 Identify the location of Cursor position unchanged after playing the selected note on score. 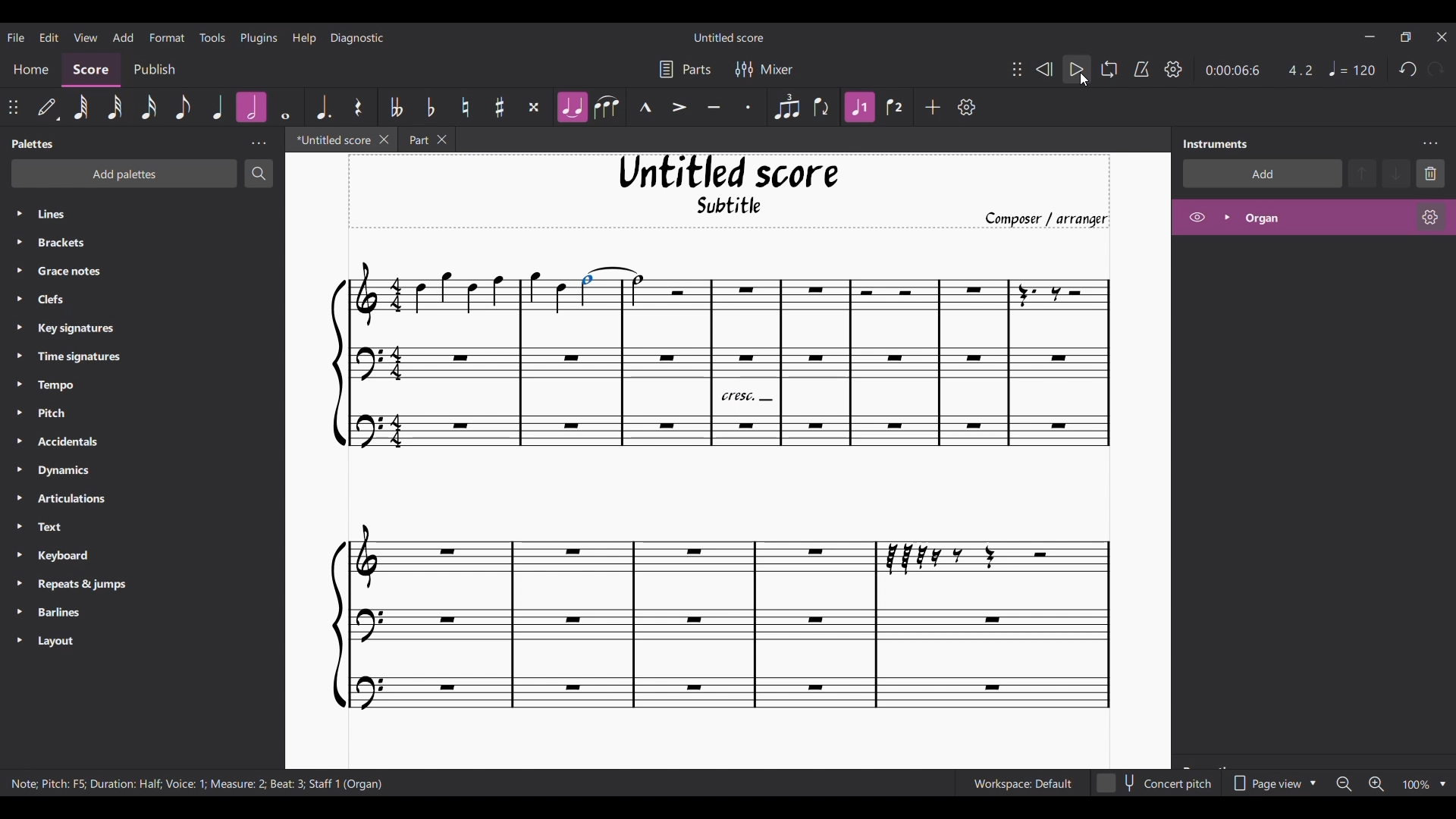
(1084, 80).